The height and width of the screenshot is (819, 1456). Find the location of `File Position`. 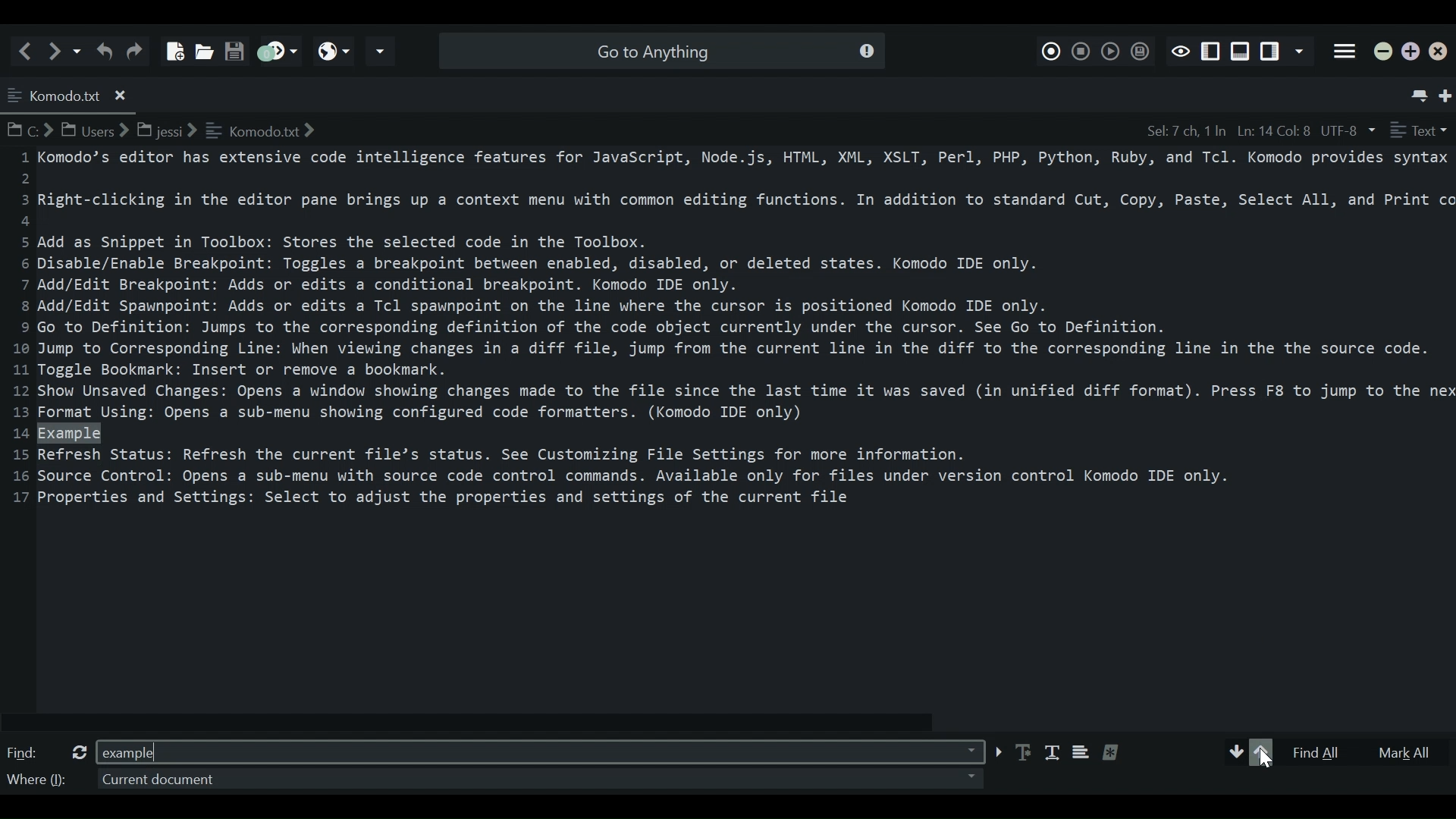

File Position is located at coordinates (1226, 130).